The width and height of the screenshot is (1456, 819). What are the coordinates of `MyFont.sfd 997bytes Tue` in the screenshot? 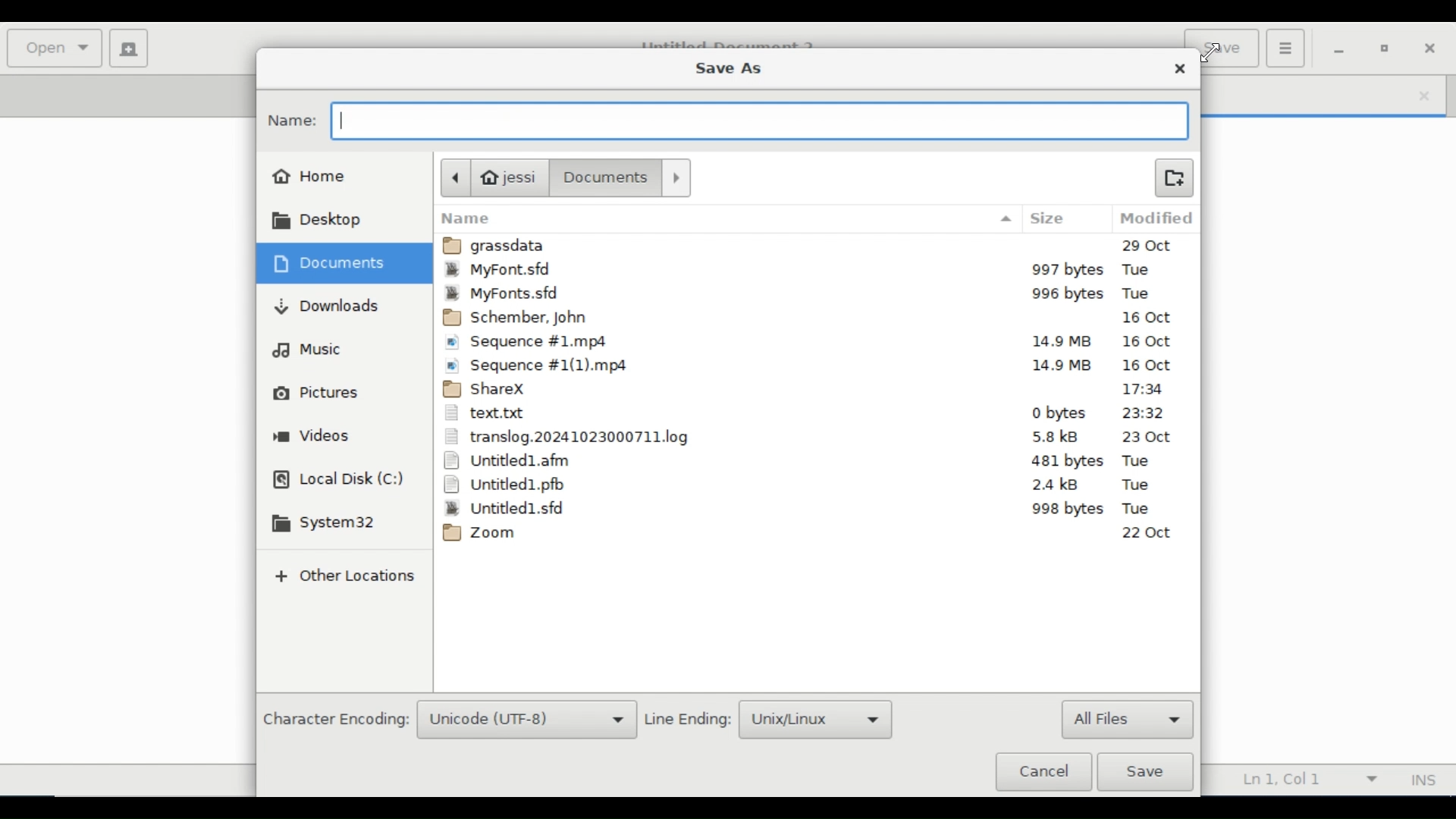 It's located at (817, 271).